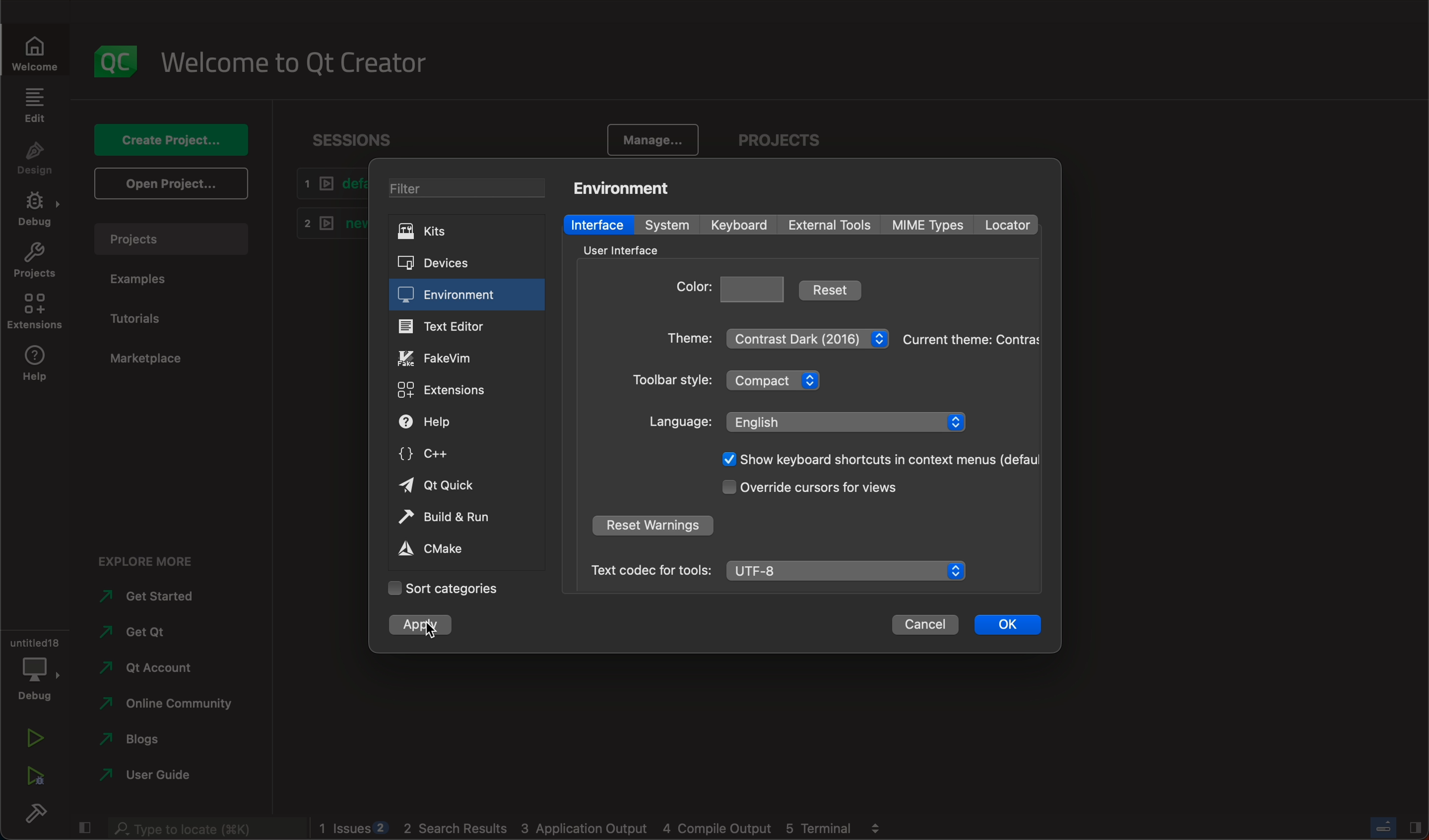 This screenshot has height=840, width=1429. Describe the element at coordinates (143, 558) in the screenshot. I see `explore more` at that location.